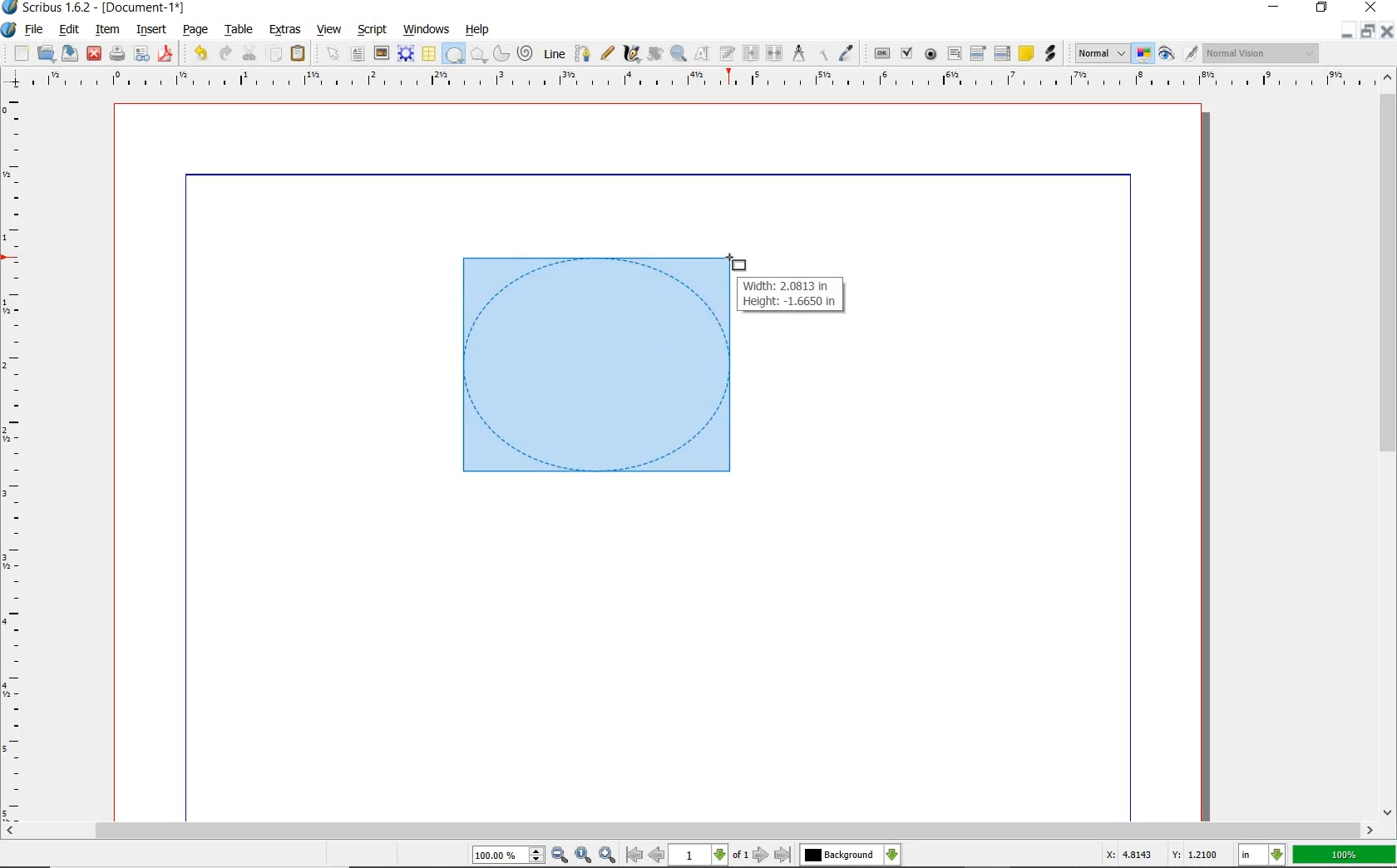 The width and height of the screenshot is (1397, 868). What do you see at coordinates (427, 30) in the screenshot?
I see `WINDOWS` at bounding box center [427, 30].